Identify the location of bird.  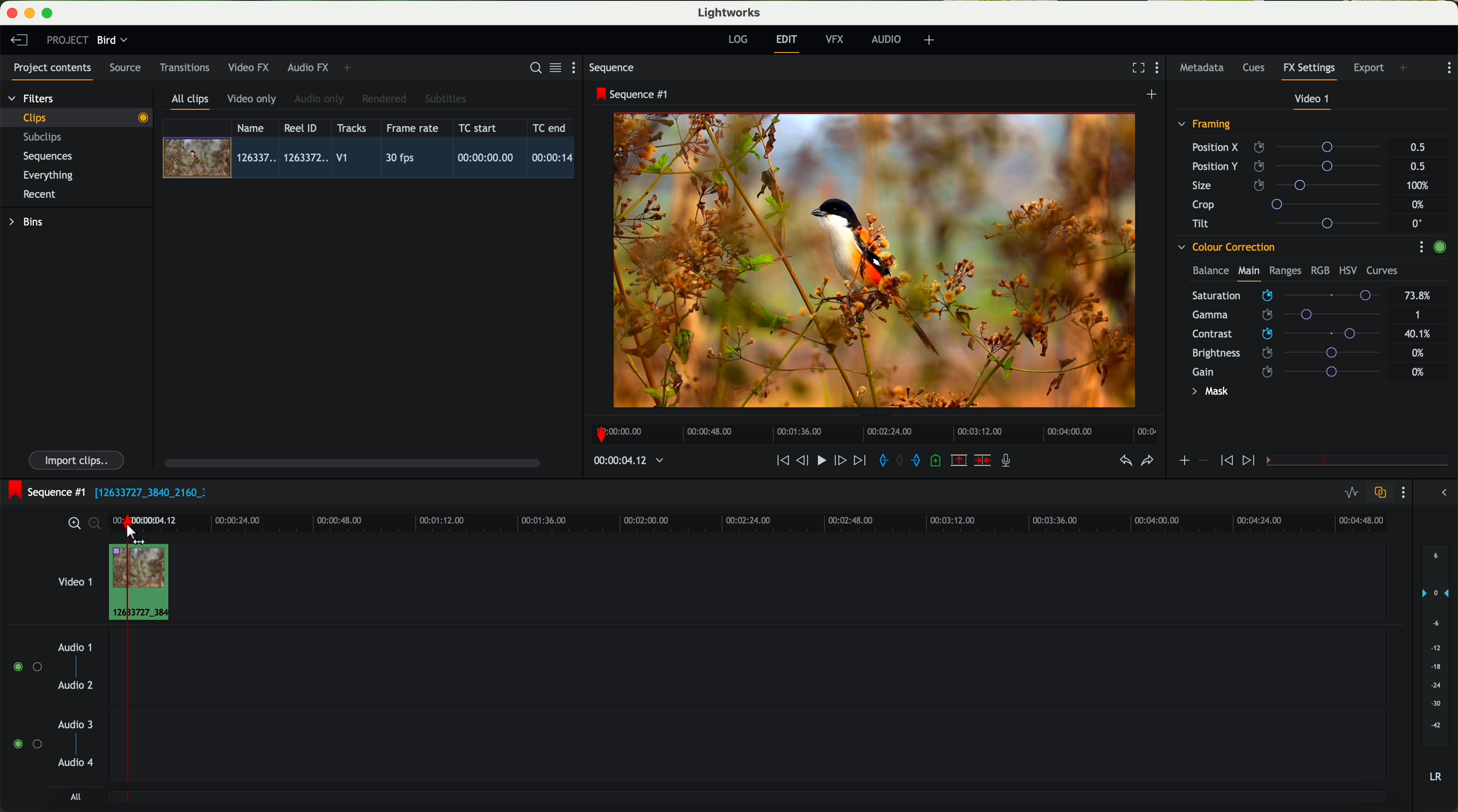
(112, 41).